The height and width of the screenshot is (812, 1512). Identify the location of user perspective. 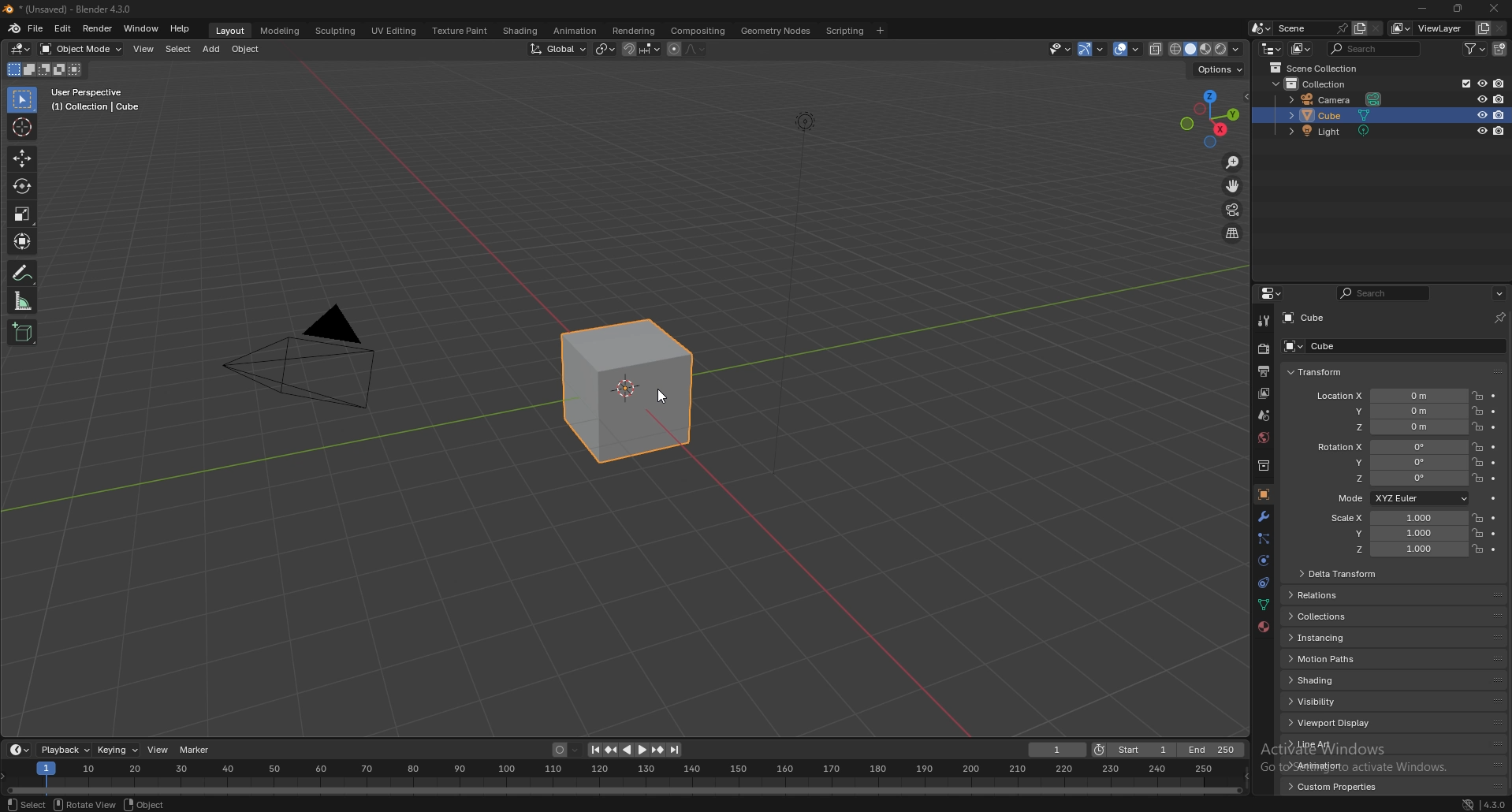
(99, 99).